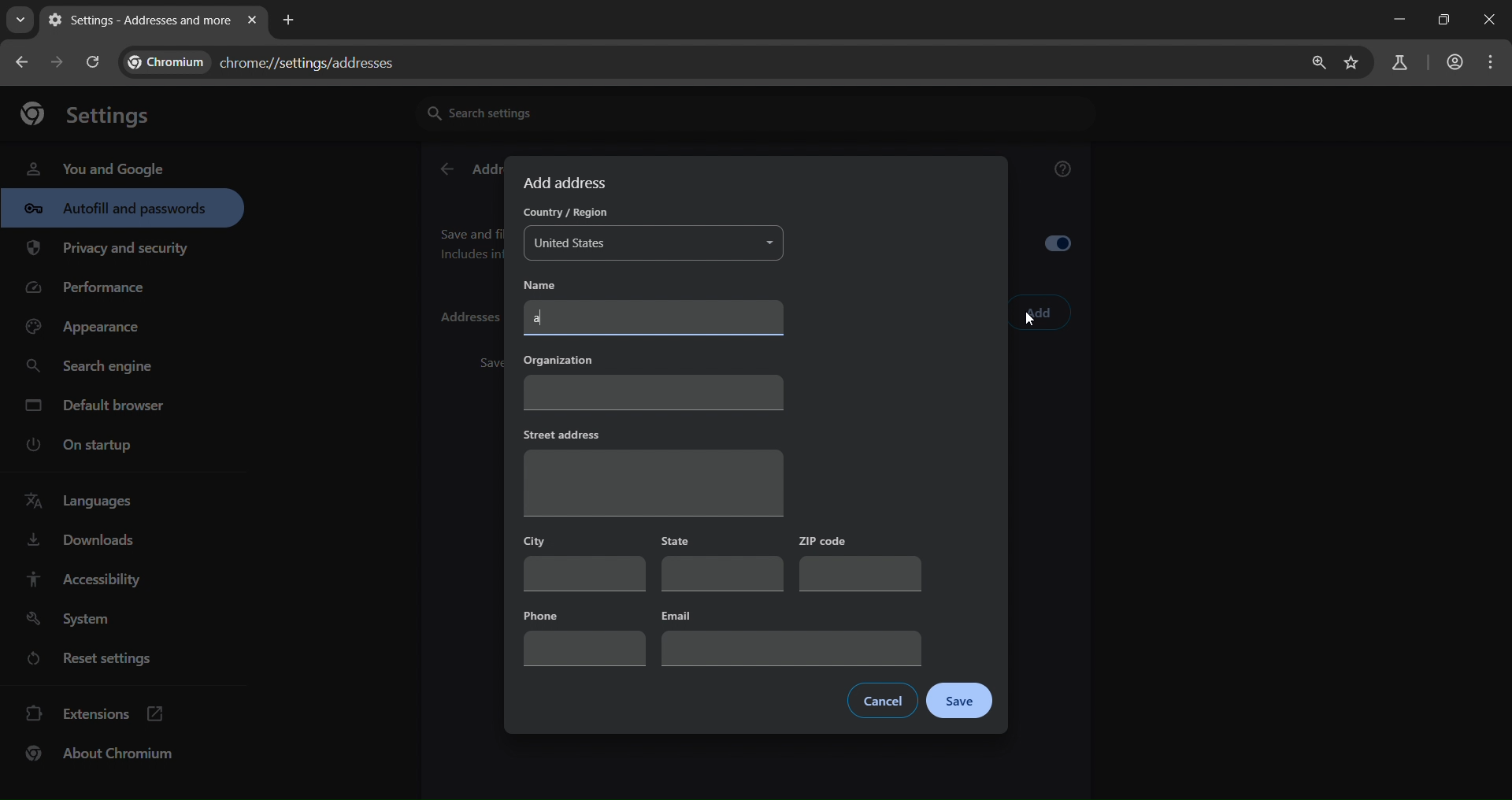 The width and height of the screenshot is (1512, 800). I want to click on bout chromium, so click(102, 753).